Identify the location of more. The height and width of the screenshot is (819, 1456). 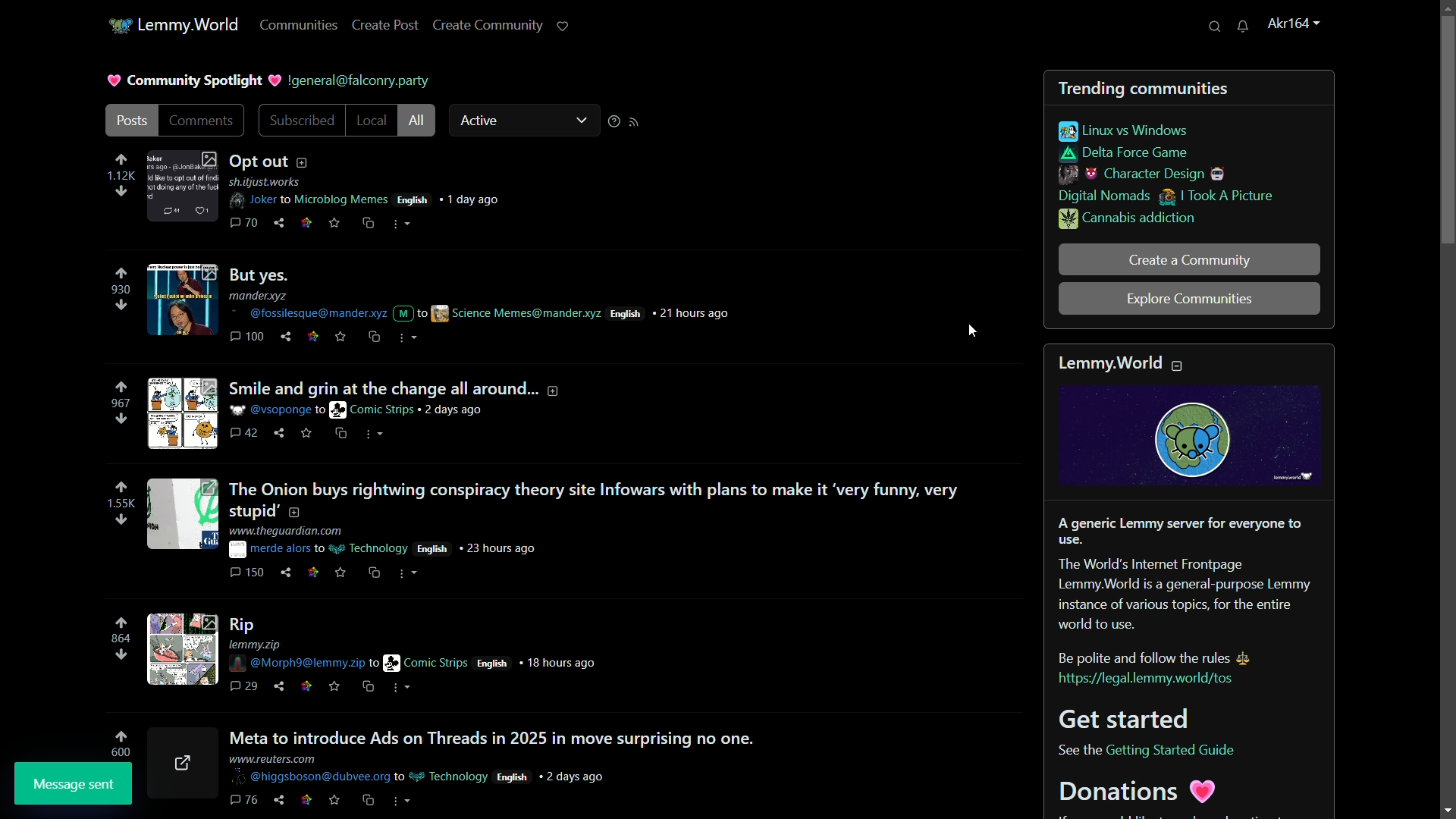
(403, 685).